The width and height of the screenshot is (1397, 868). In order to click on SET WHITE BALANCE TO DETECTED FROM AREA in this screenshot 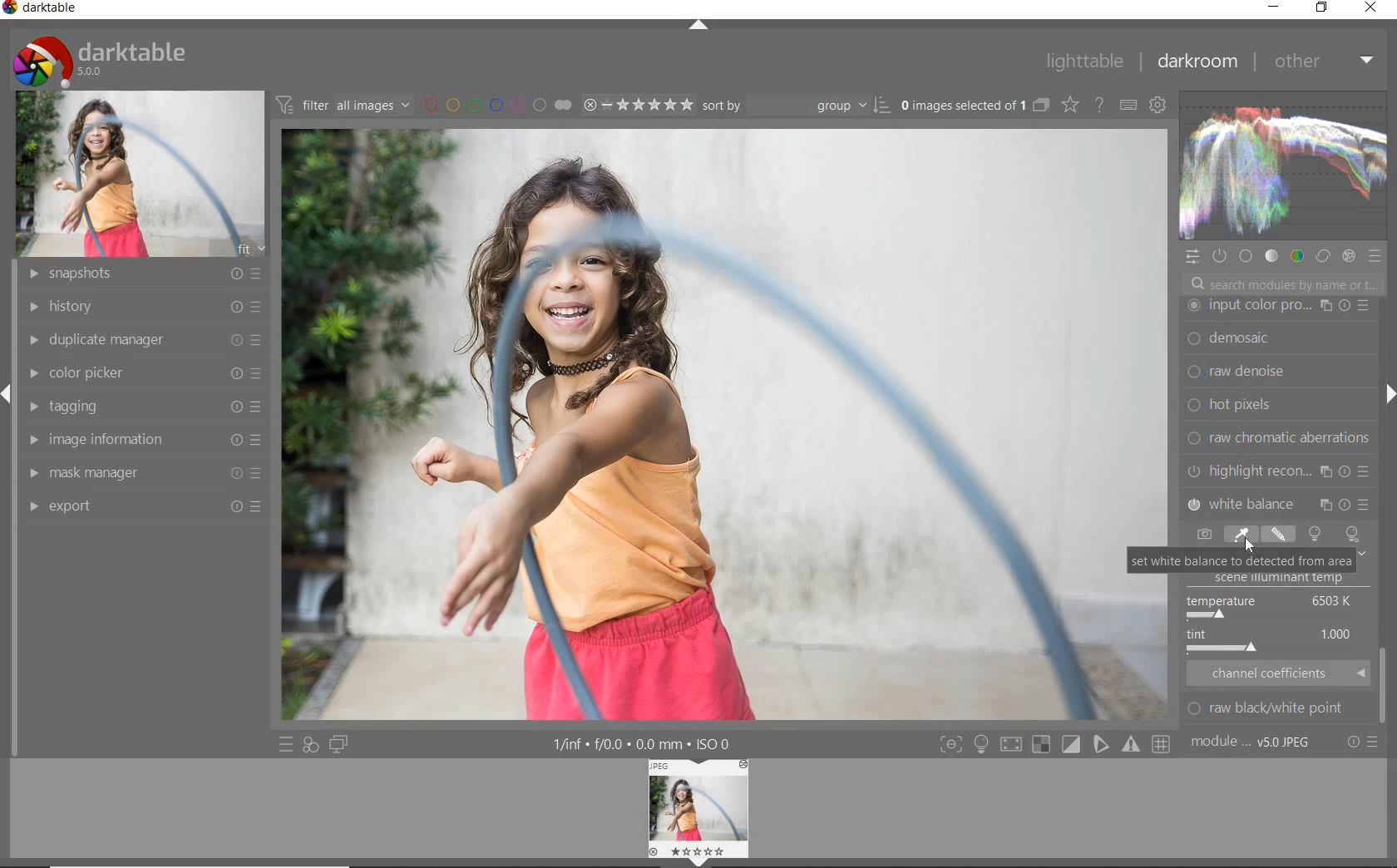, I will do `click(1241, 560)`.